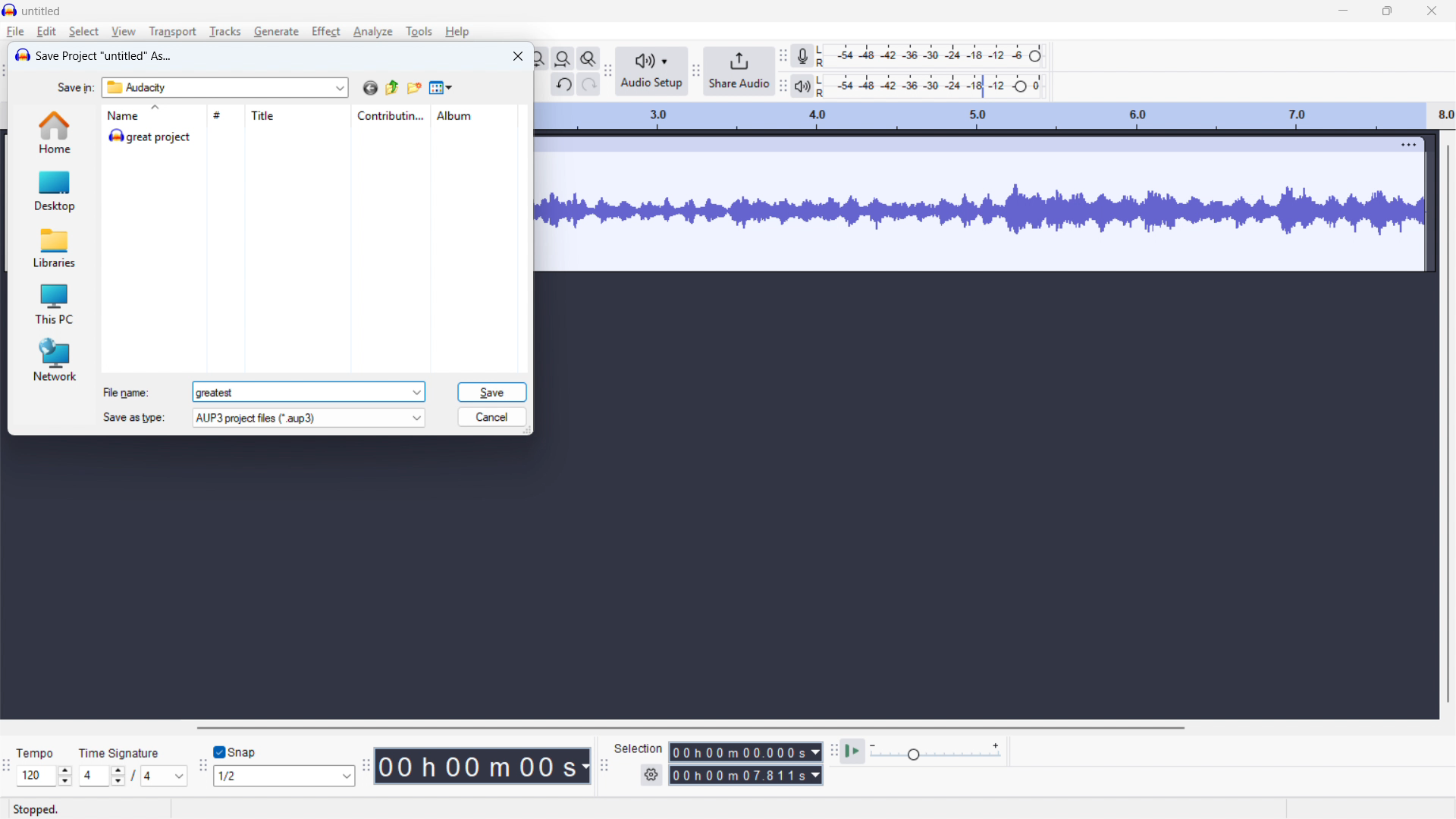 The width and height of the screenshot is (1456, 819). What do you see at coordinates (518, 55) in the screenshot?
I see `close` at bounding box center [518, 55].